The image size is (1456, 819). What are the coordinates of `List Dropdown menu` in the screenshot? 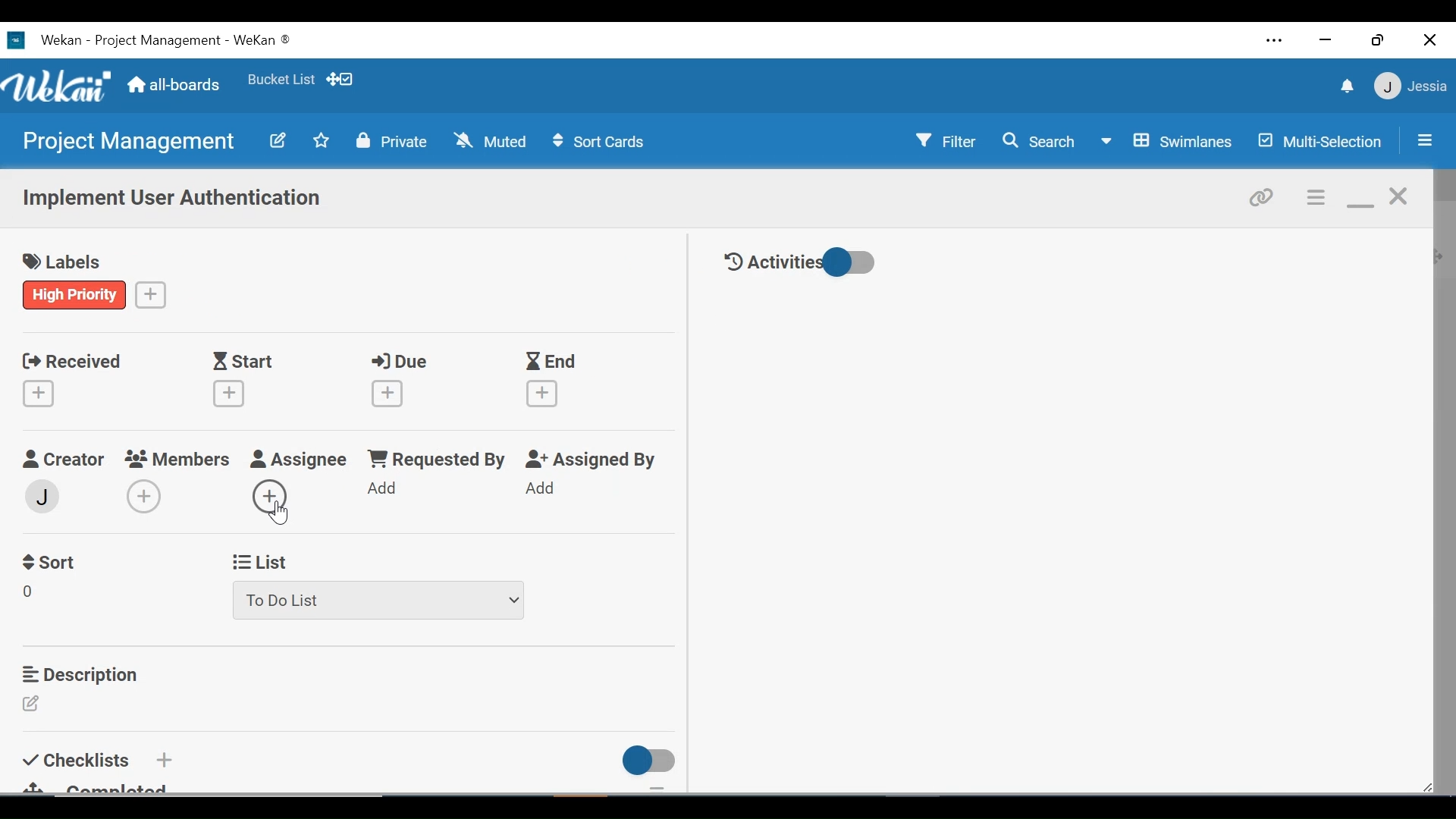 It's located at (378, 599).